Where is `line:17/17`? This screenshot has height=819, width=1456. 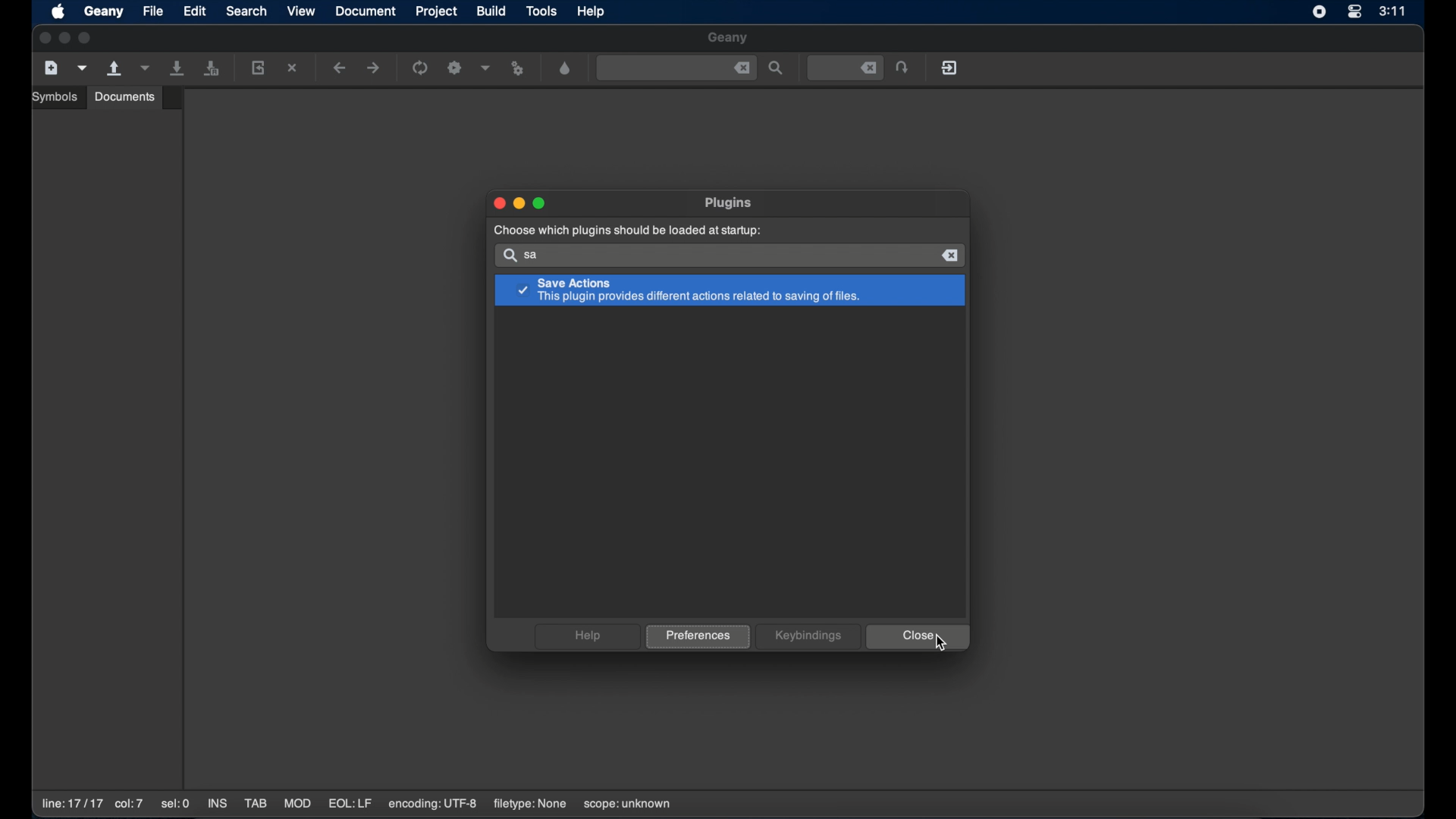
line:17/17 is located at coordinates (71, 804).